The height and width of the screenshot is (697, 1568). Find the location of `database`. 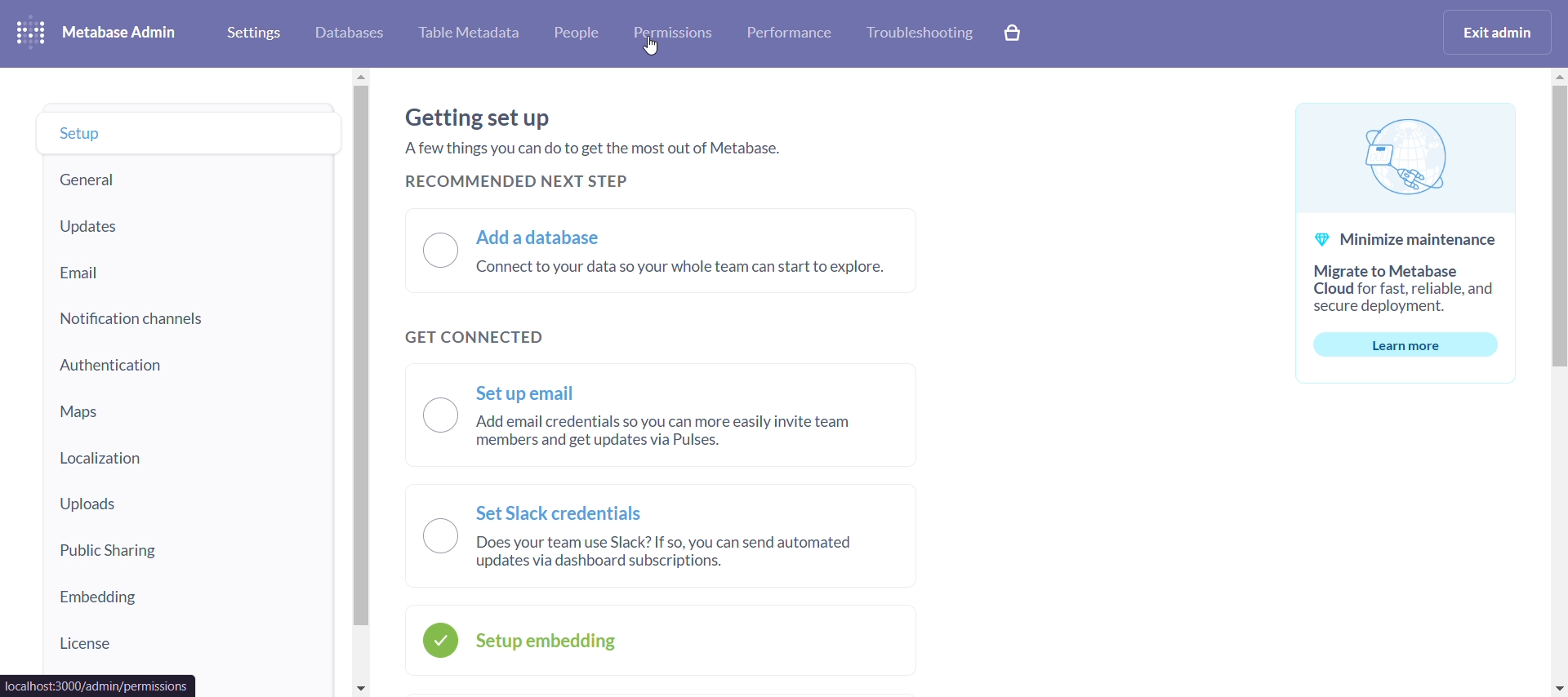

database is located at coordinates (345, 33).